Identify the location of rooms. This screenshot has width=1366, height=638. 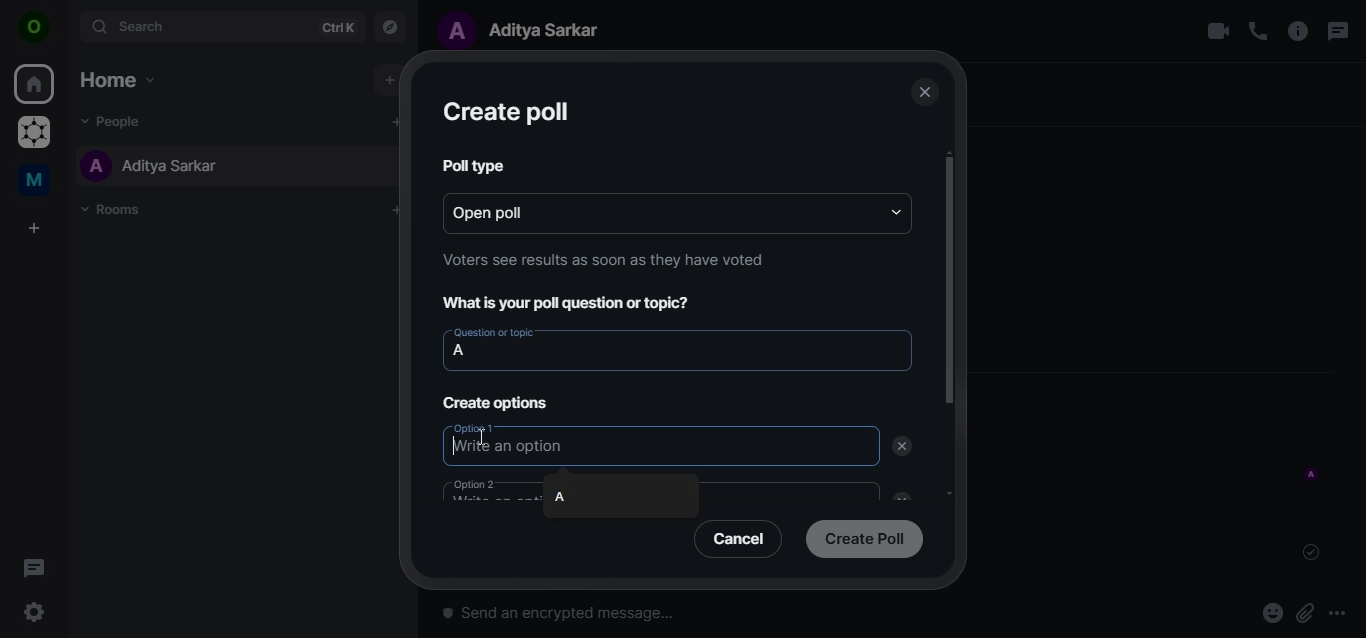
(117, 210).